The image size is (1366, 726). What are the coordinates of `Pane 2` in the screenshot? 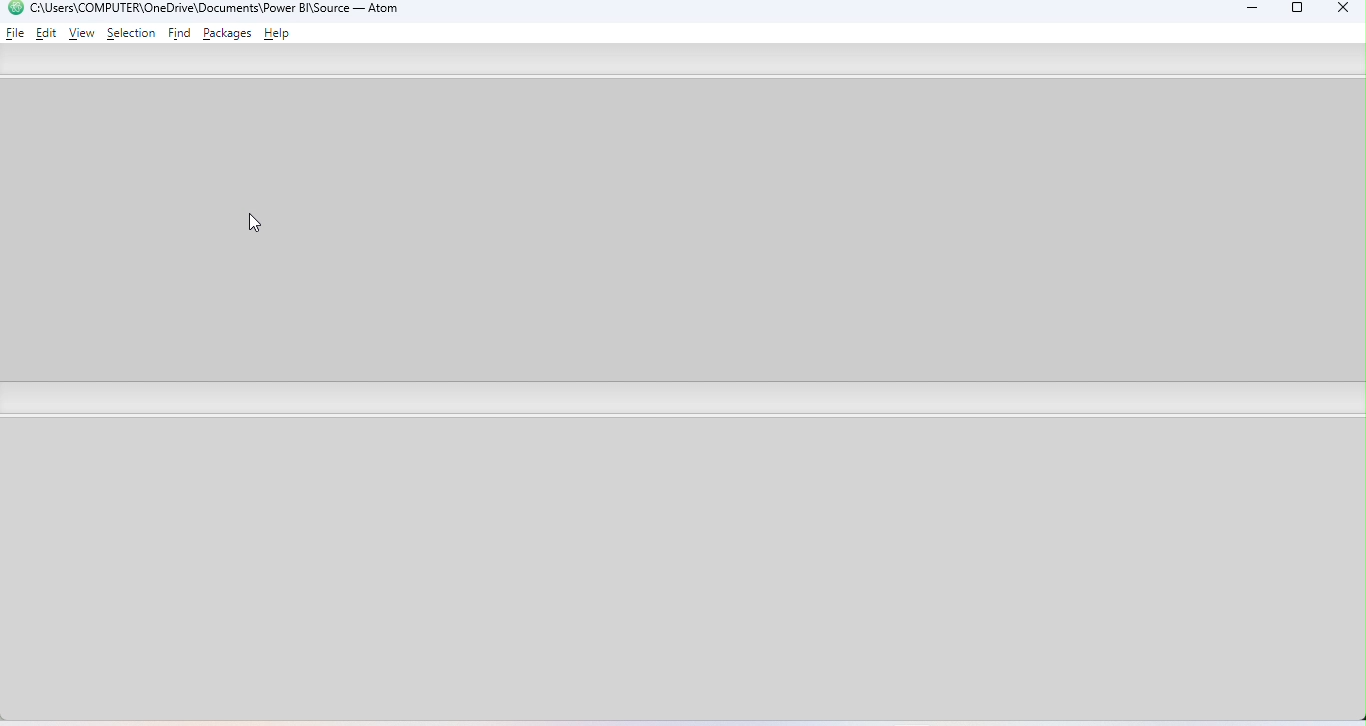 It's located at (685, 573).